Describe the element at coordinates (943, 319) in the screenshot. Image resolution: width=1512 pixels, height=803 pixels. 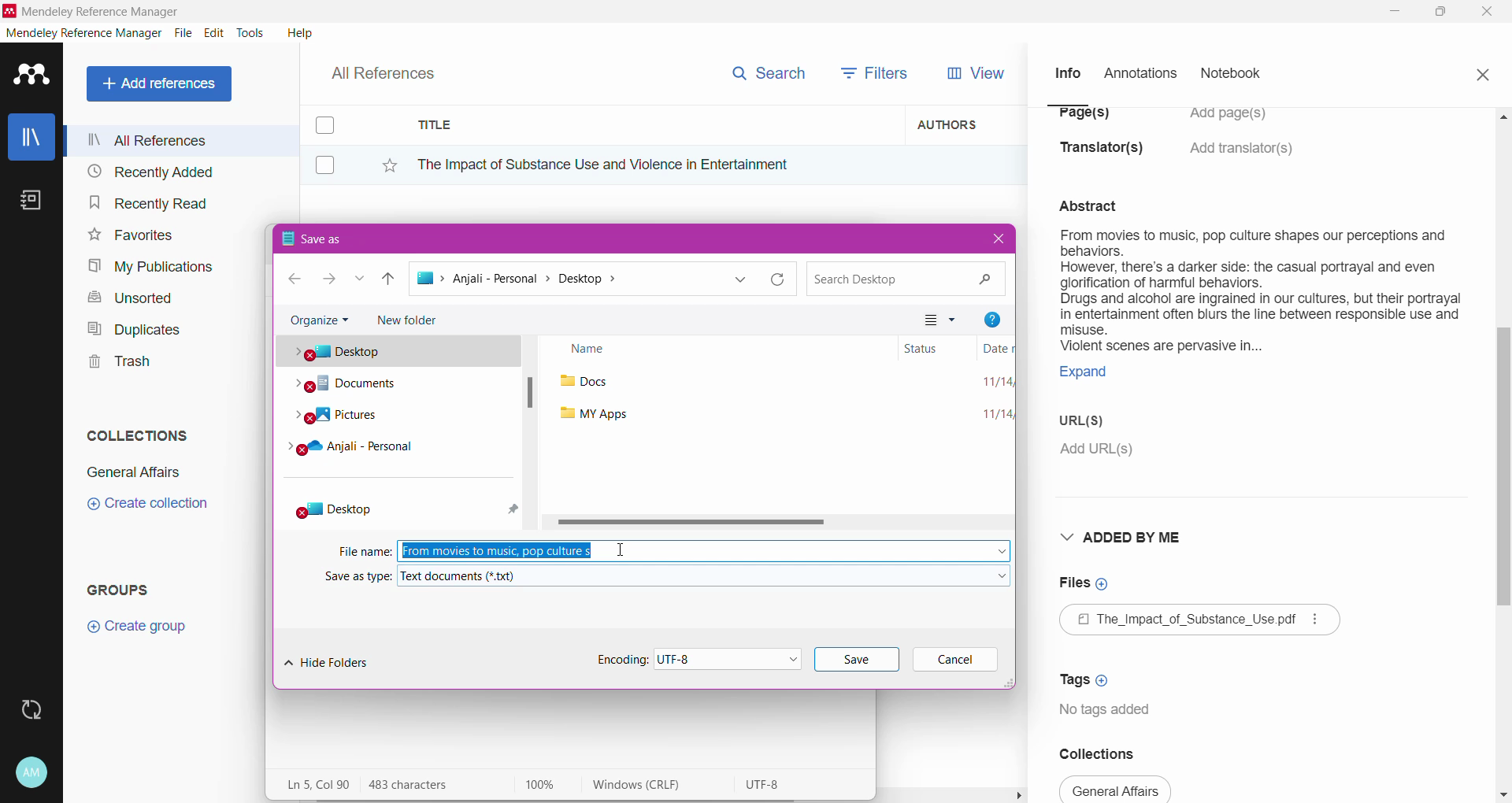
I see `Change your view` at that location.